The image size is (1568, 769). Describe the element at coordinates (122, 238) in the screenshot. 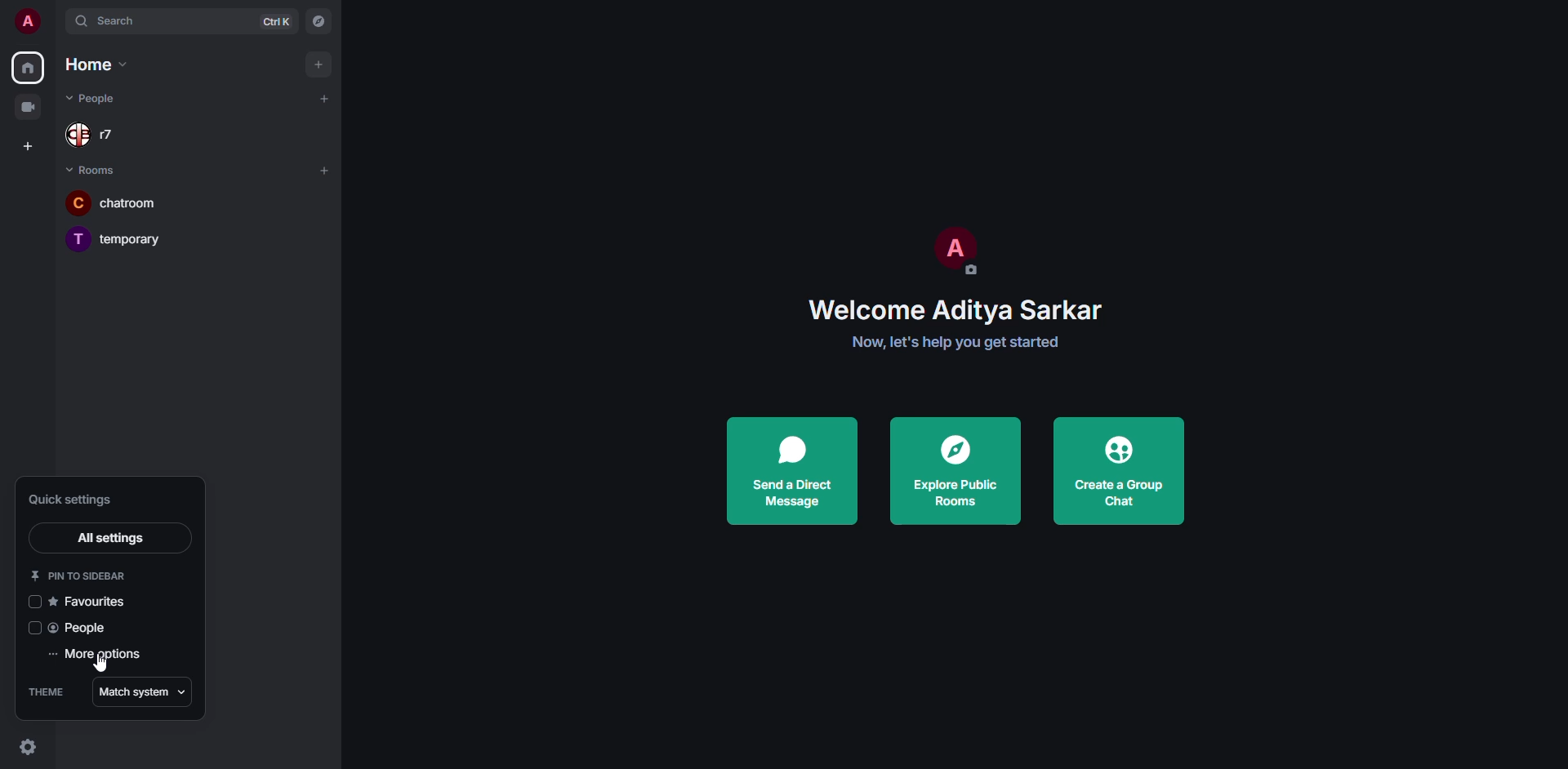

I see `temporary` at that location.